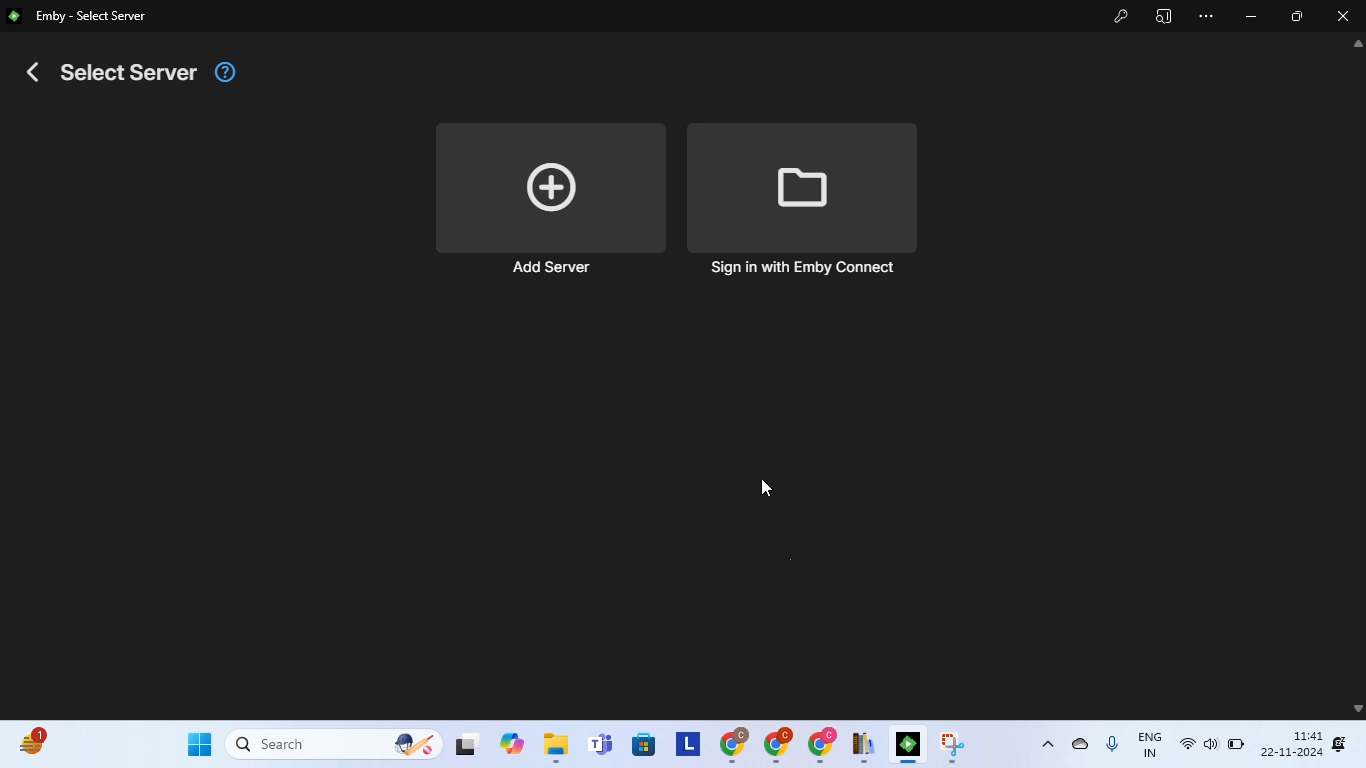 Image resolution: width=1366 pixels, height=768 pixels. What do you see at coordinates (1252, 17) in the screenshot?
I see `minimize` at bounding box center [1252, 17].